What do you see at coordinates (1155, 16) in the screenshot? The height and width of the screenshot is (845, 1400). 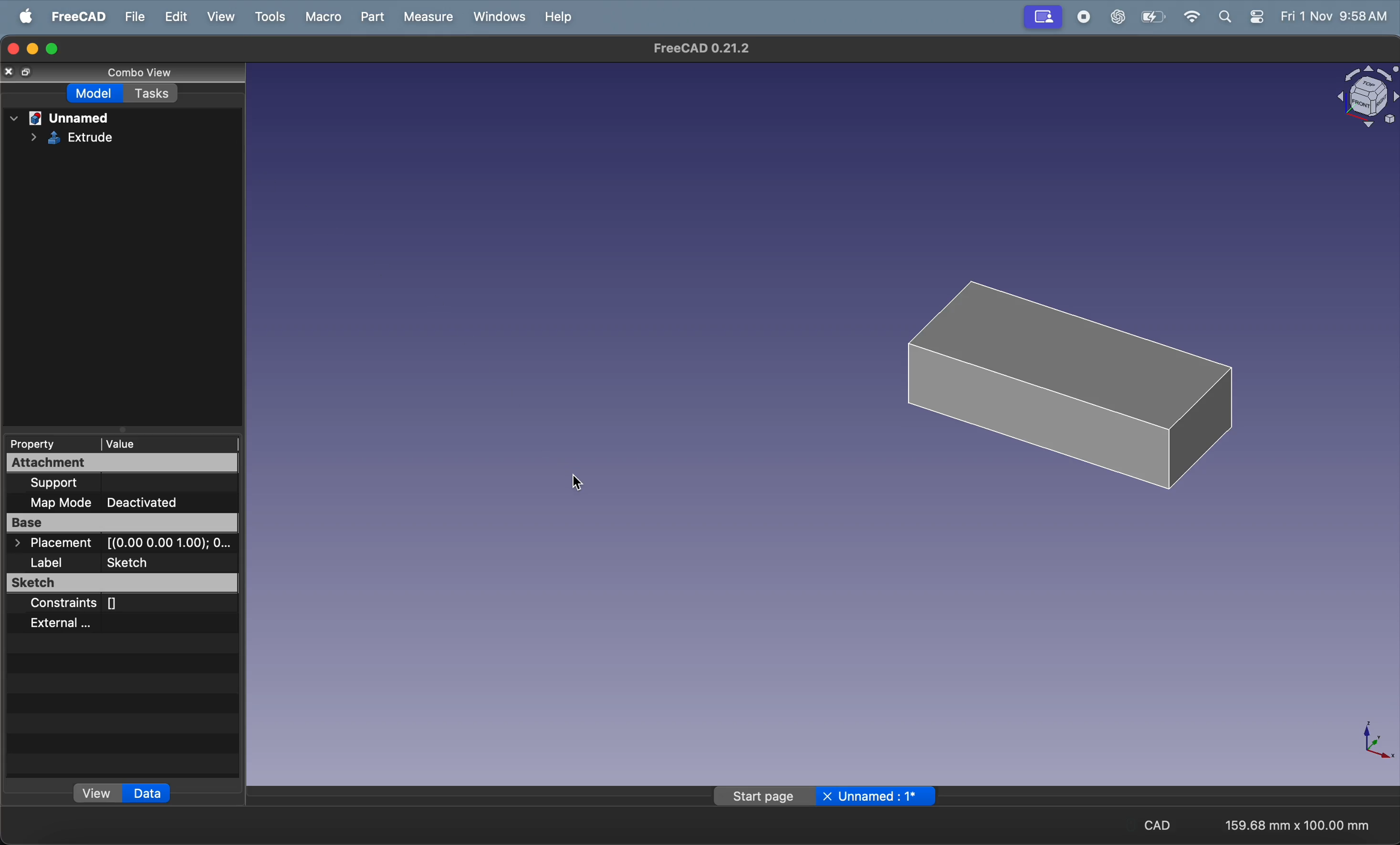 I see `battery` at bounding box center [1155, 16].